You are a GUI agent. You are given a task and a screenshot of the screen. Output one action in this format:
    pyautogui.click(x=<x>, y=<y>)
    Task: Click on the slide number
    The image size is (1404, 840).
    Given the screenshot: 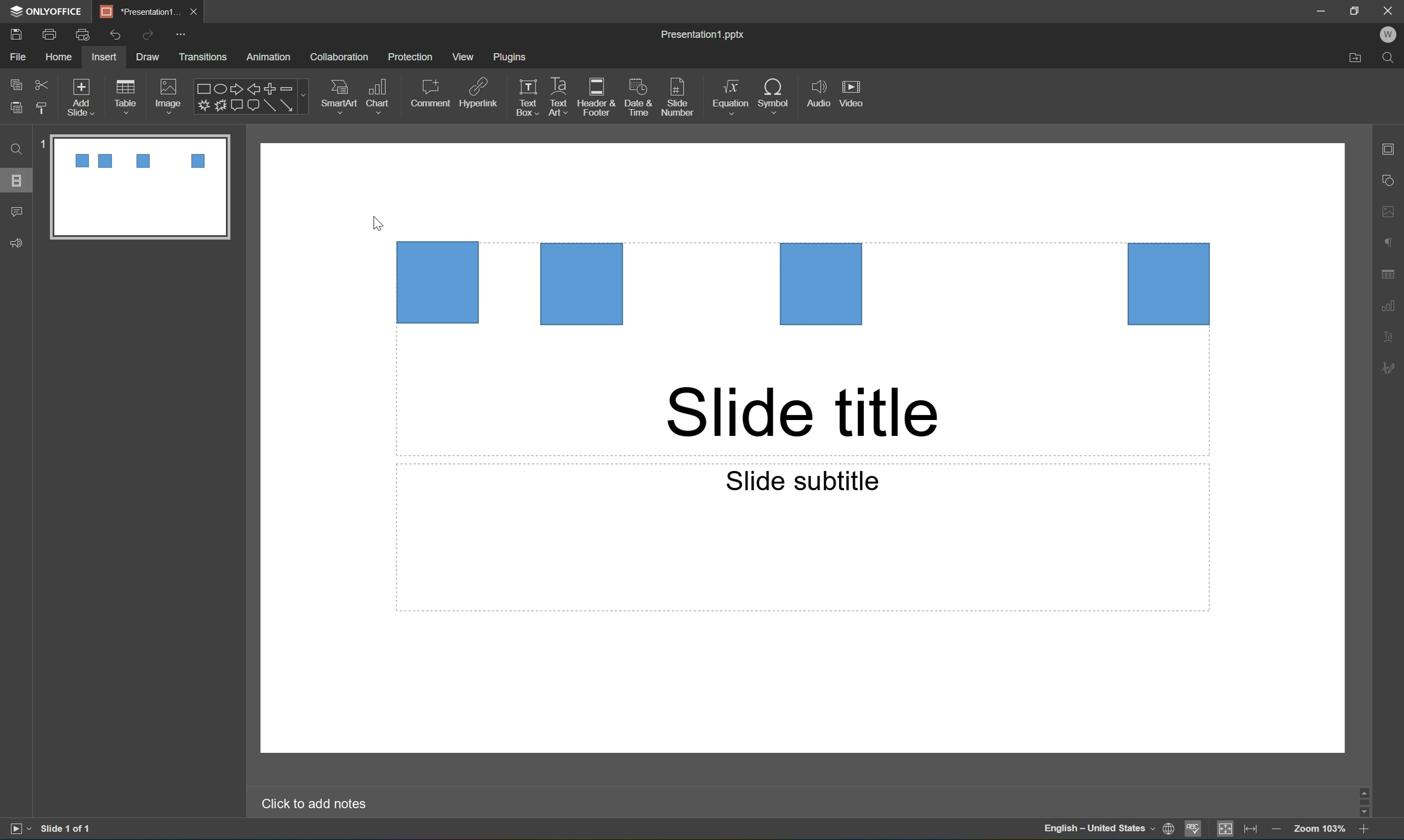 What is the action you would take?
    pyautogui.click(x=678, y=98)
    